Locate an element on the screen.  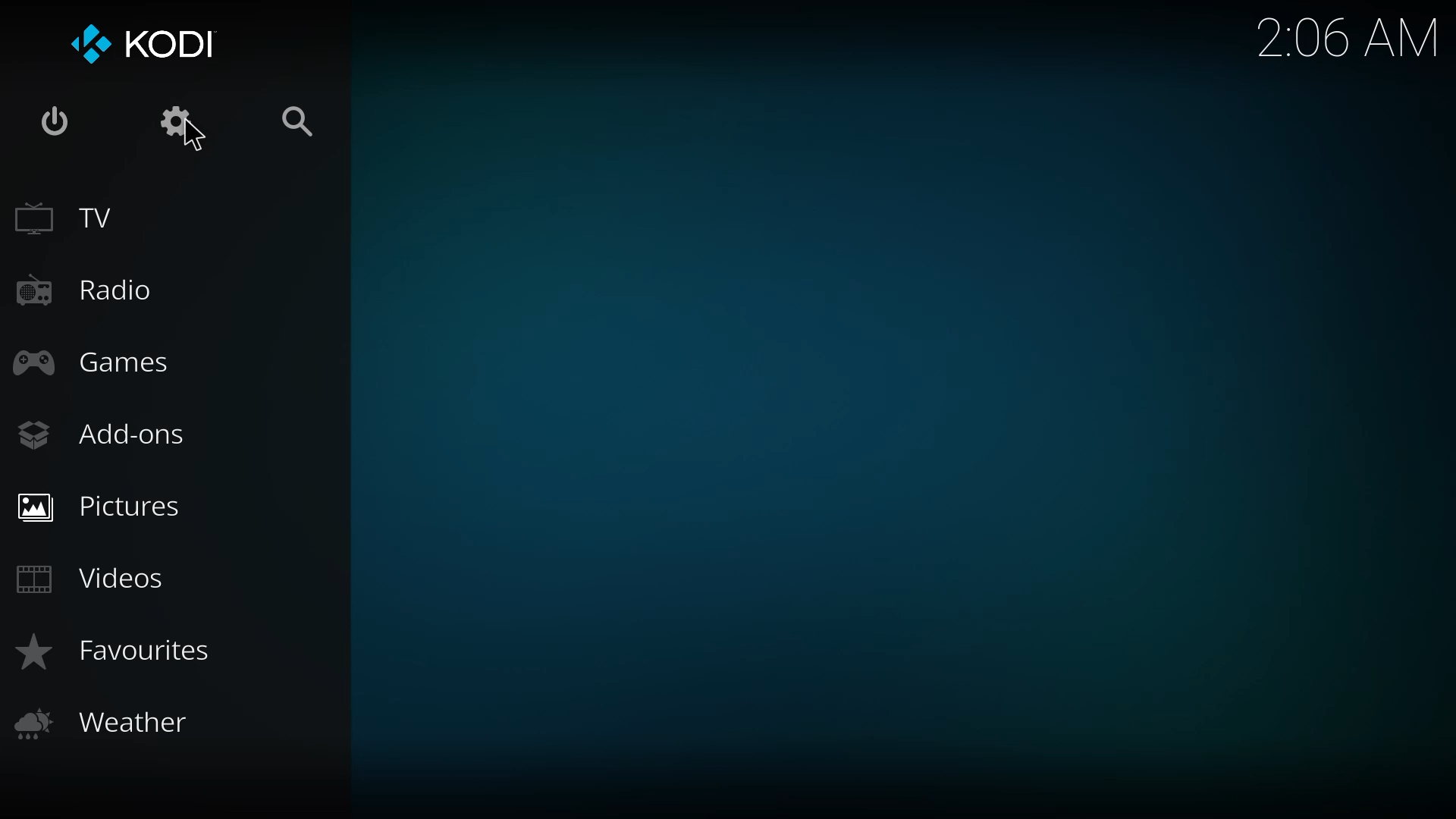
time is located at coordinates (1344, 34).